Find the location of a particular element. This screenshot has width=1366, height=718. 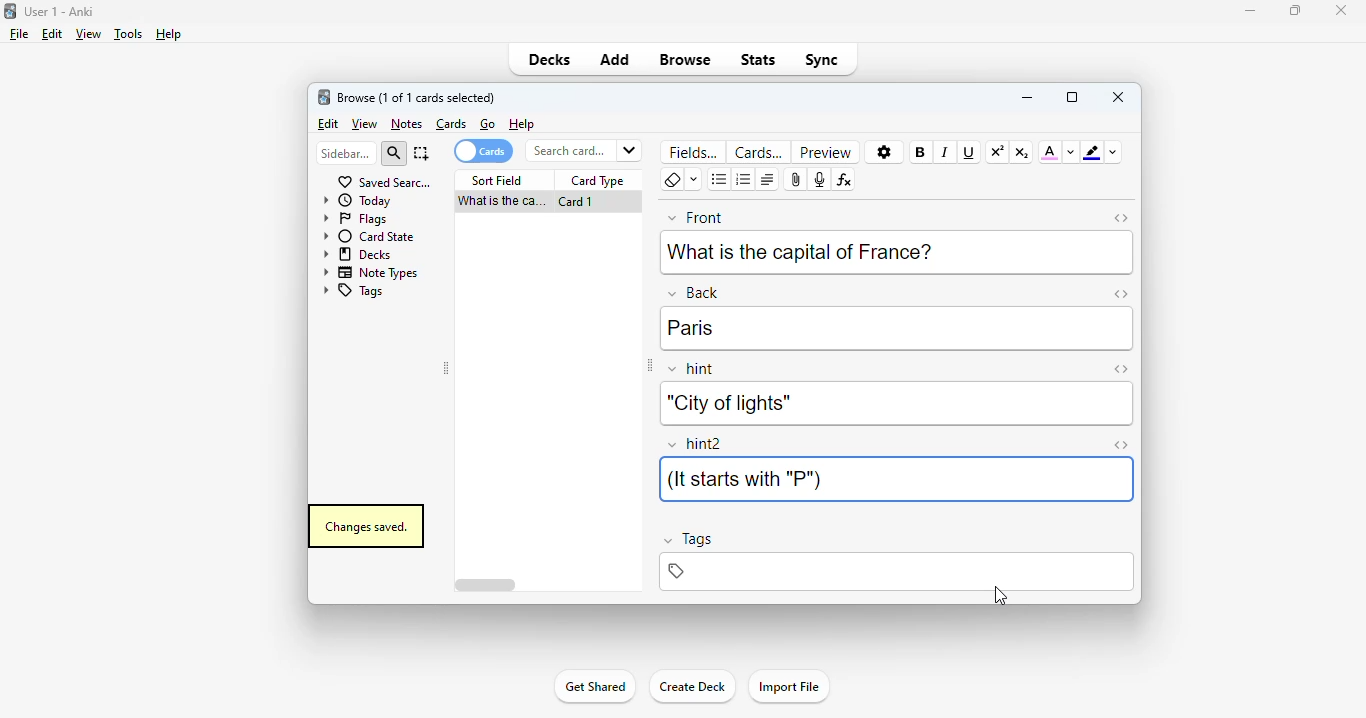

bold is located at coordinates (919, 151).